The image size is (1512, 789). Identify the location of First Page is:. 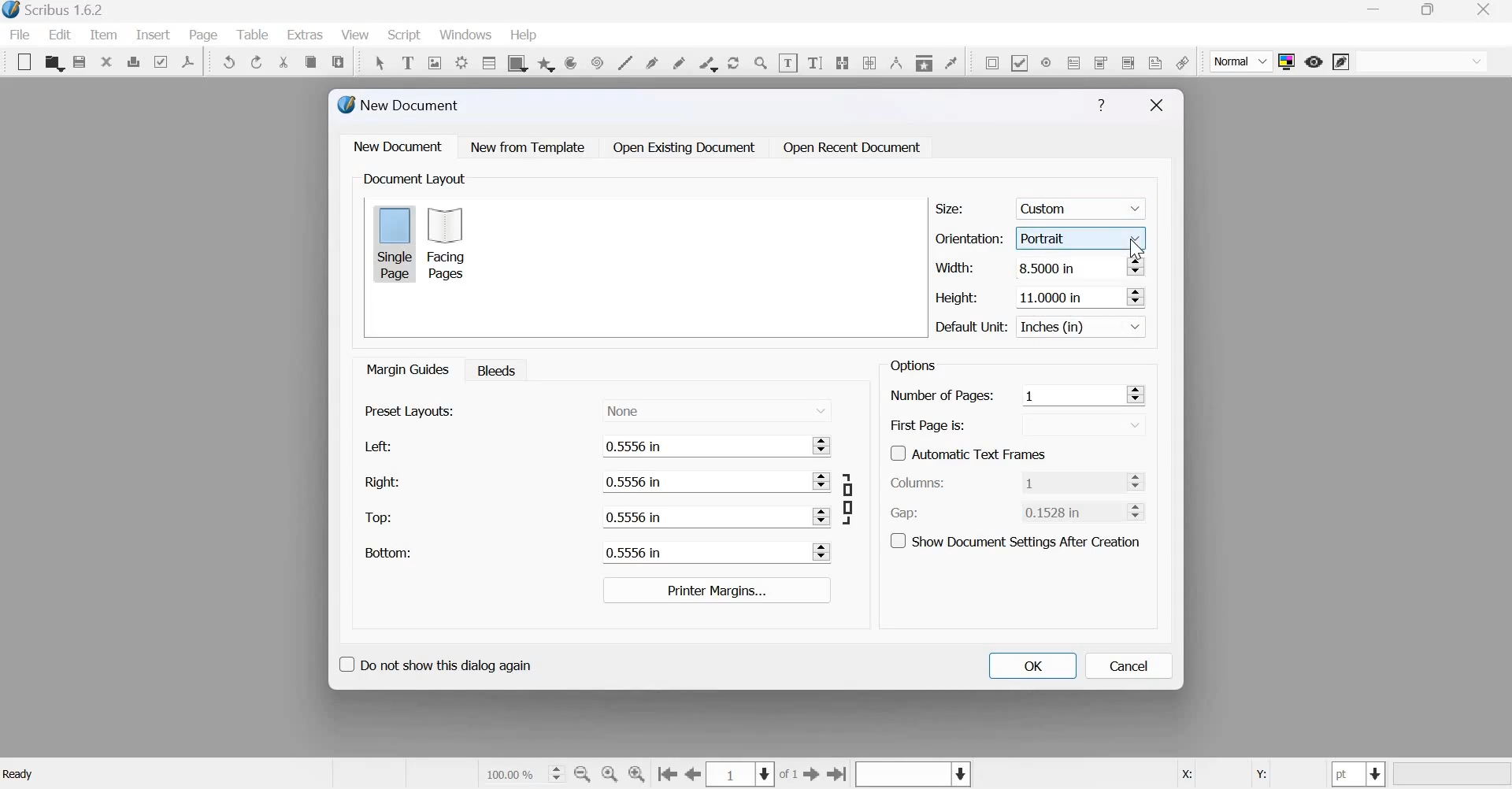
(928, 424).